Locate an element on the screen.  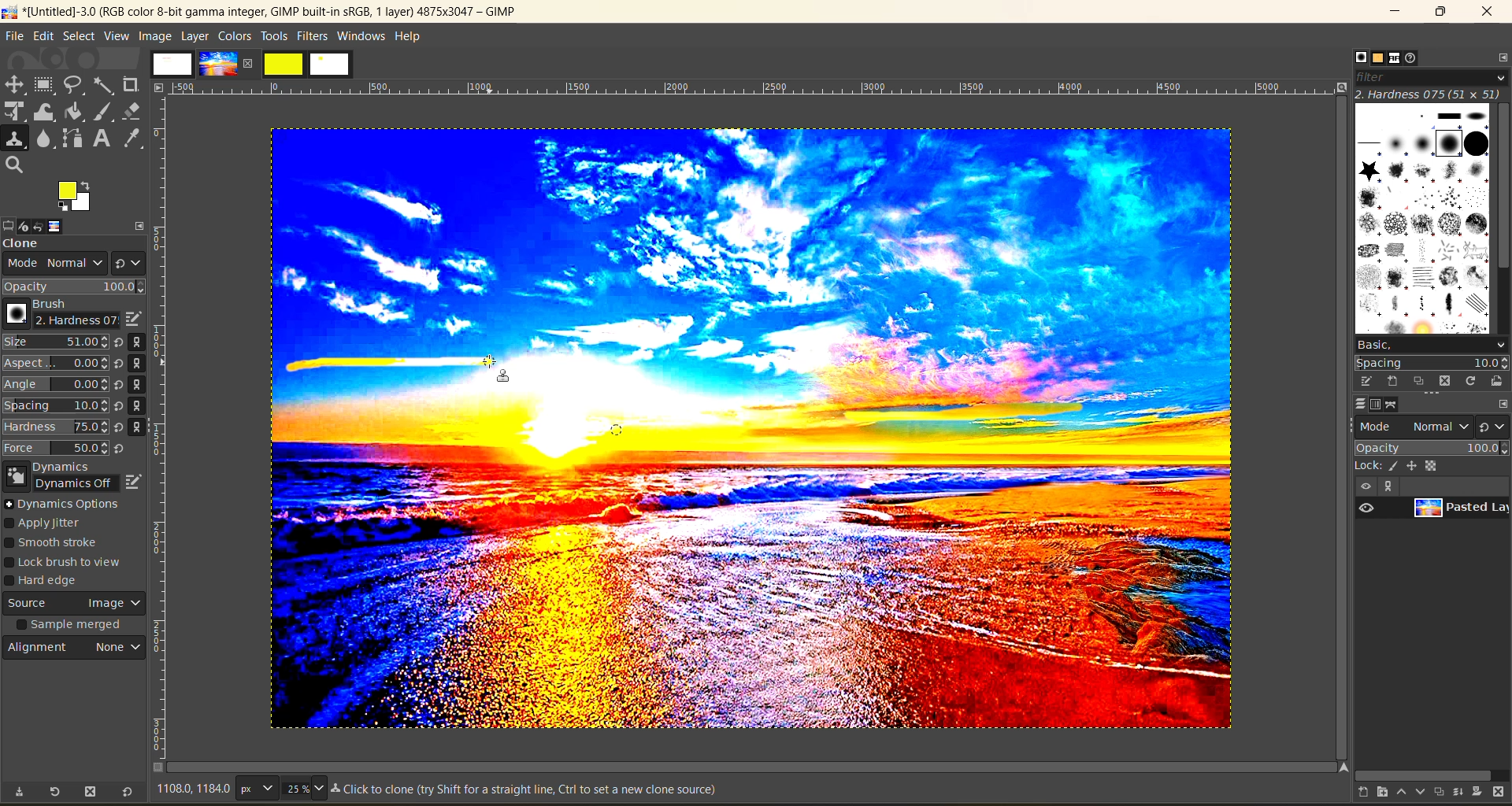
refresh brushes is located at coordinates (1470, 381).